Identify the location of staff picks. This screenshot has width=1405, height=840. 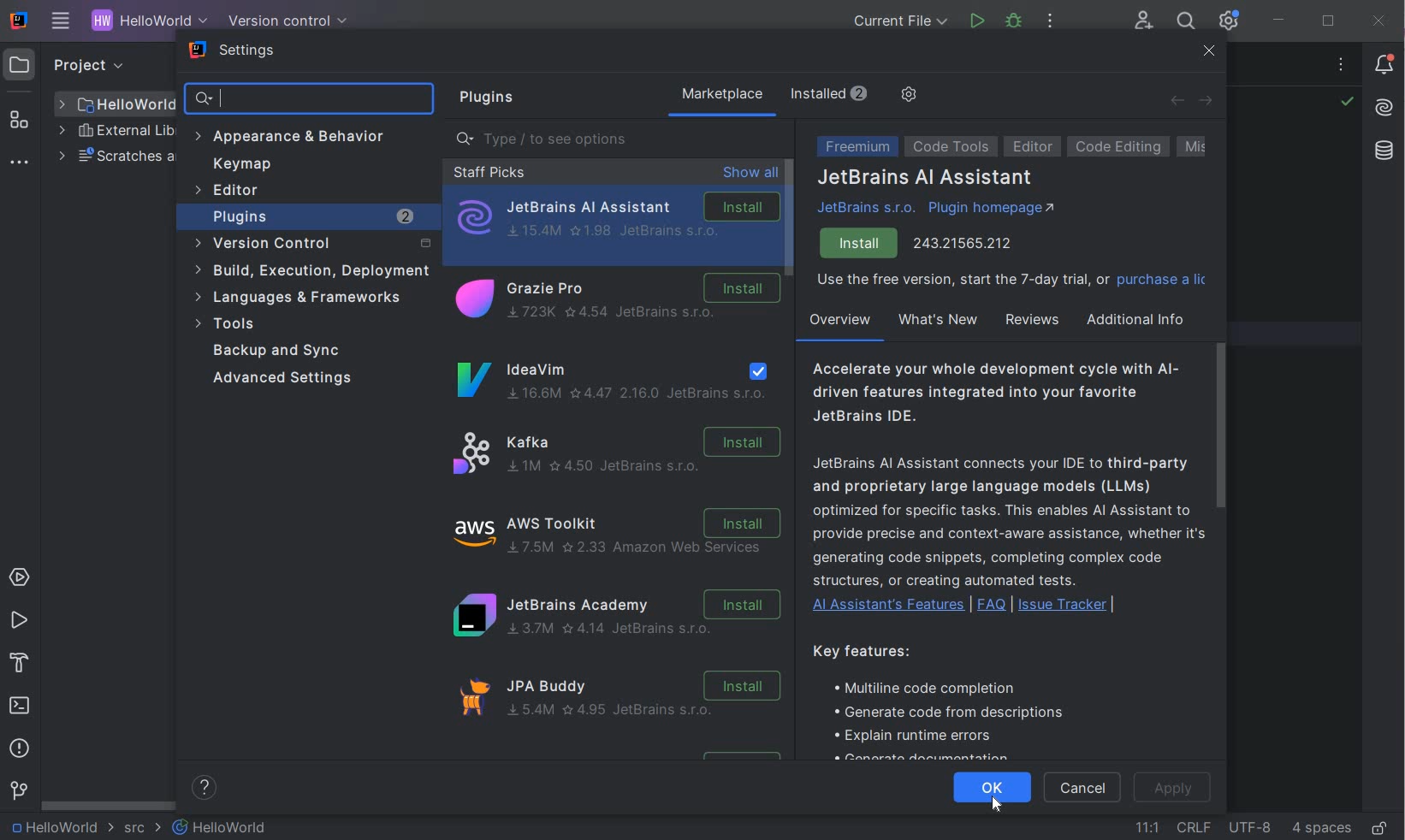
(489, 172).